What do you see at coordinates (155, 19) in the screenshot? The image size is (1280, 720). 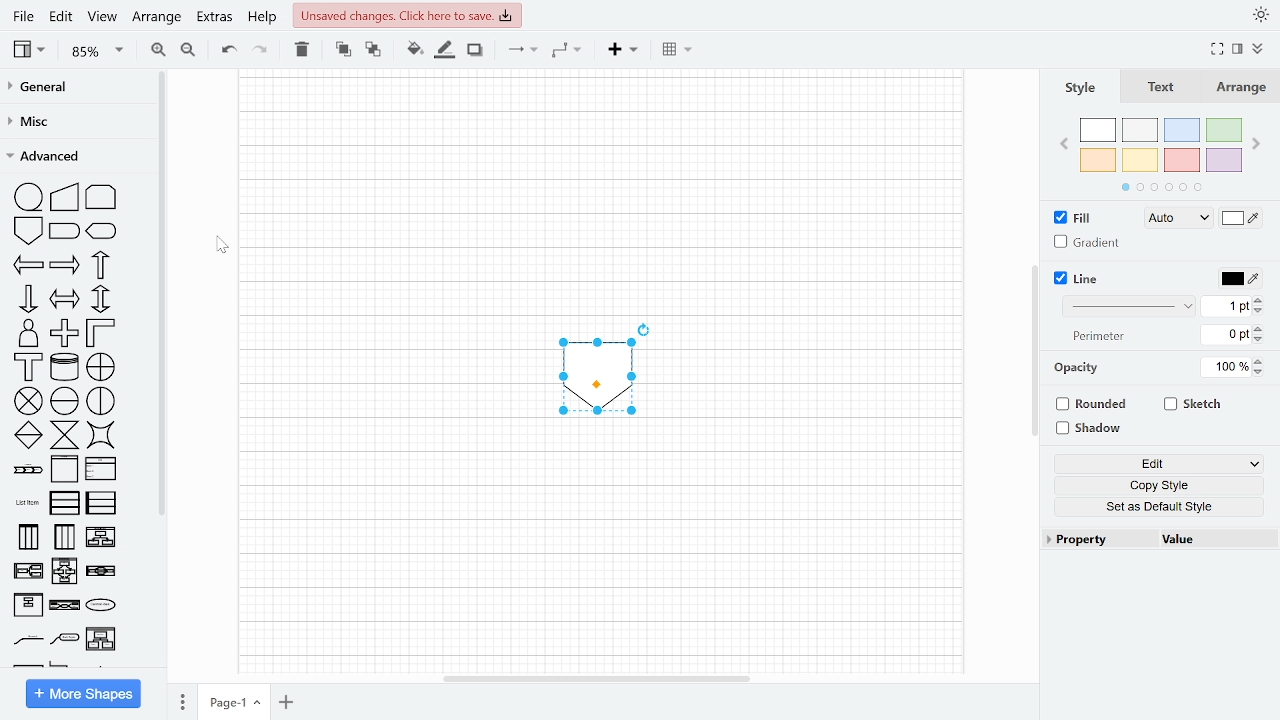 I see `Arrange` at bounding box center [155, 19].